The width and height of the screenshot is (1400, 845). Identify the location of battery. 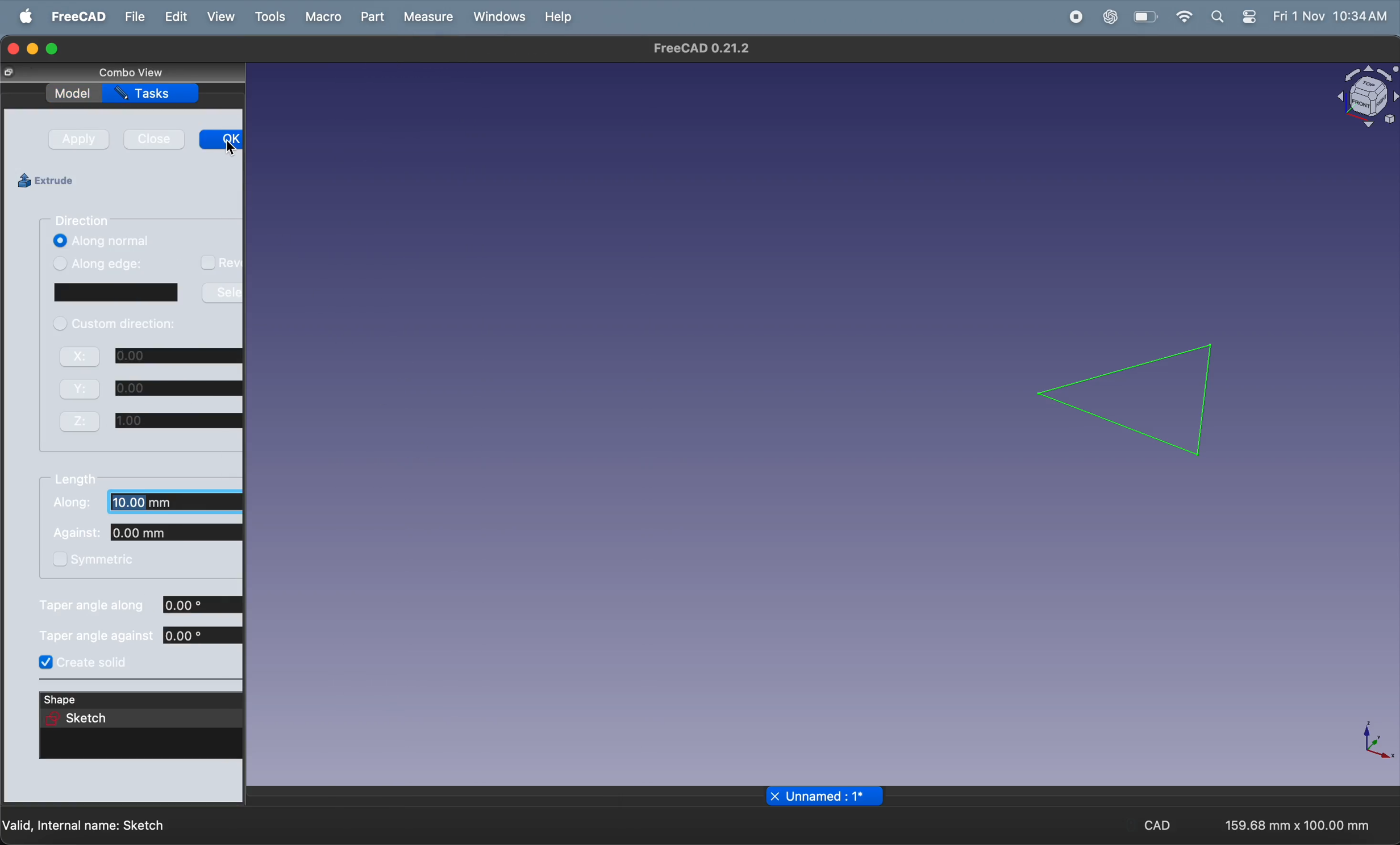
(1148, 17).